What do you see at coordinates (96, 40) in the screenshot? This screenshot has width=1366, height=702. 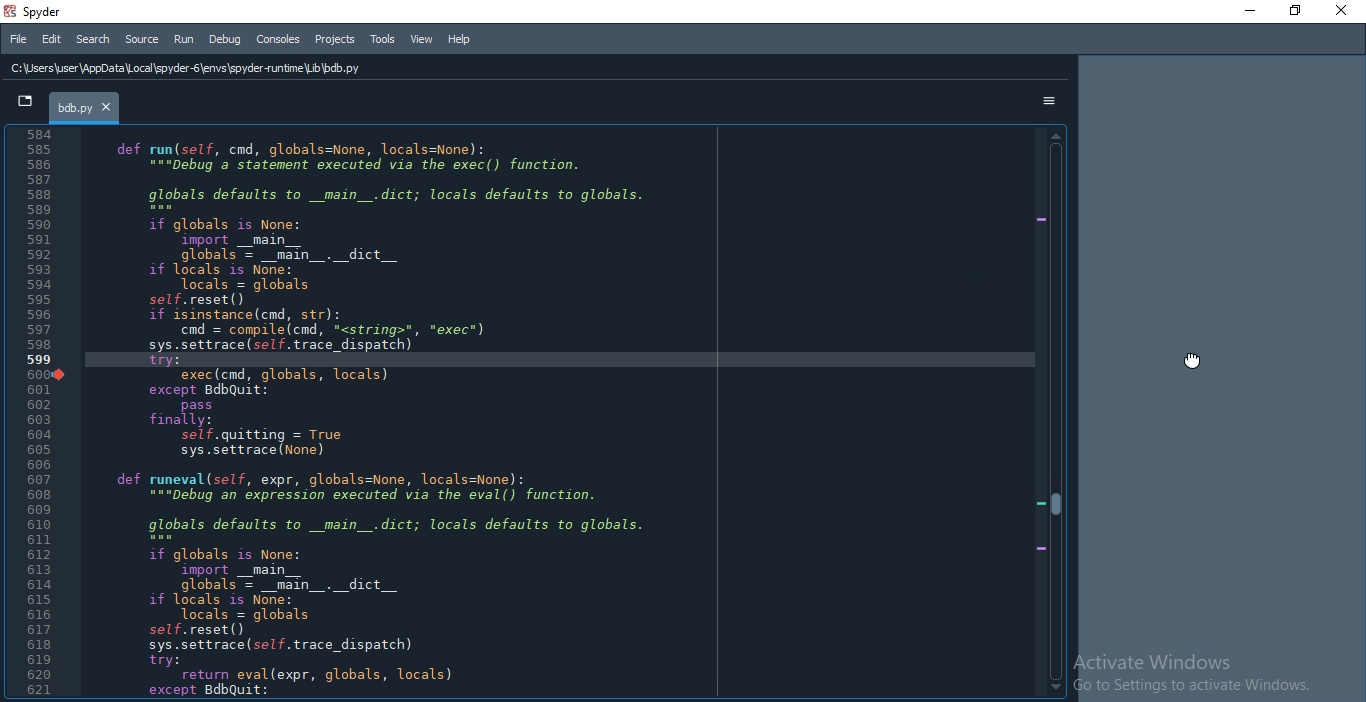 I see `Search` at bounding box center [96, 40].